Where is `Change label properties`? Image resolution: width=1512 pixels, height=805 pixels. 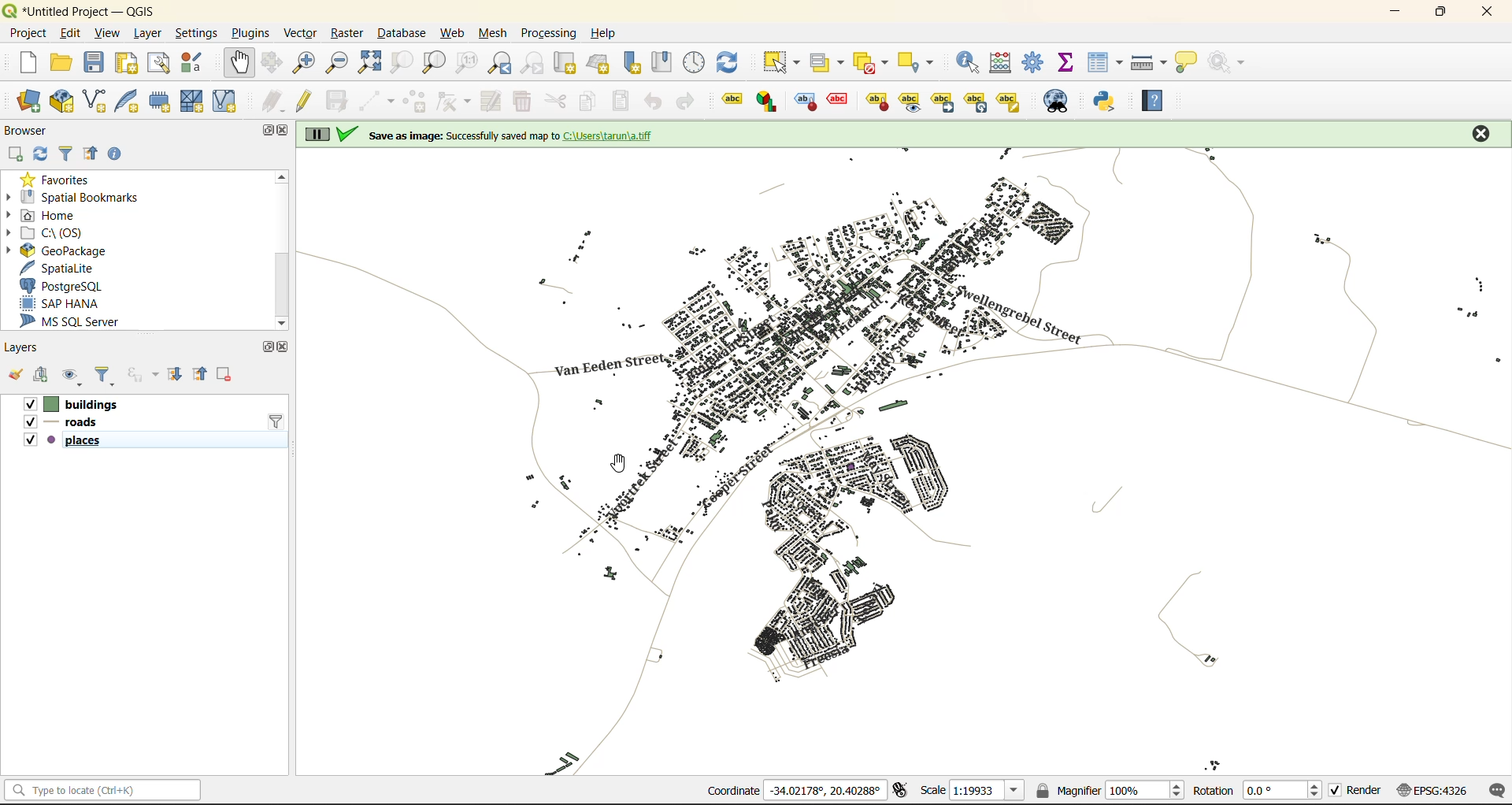
Change label properties is located at coordinates (1009, 100).